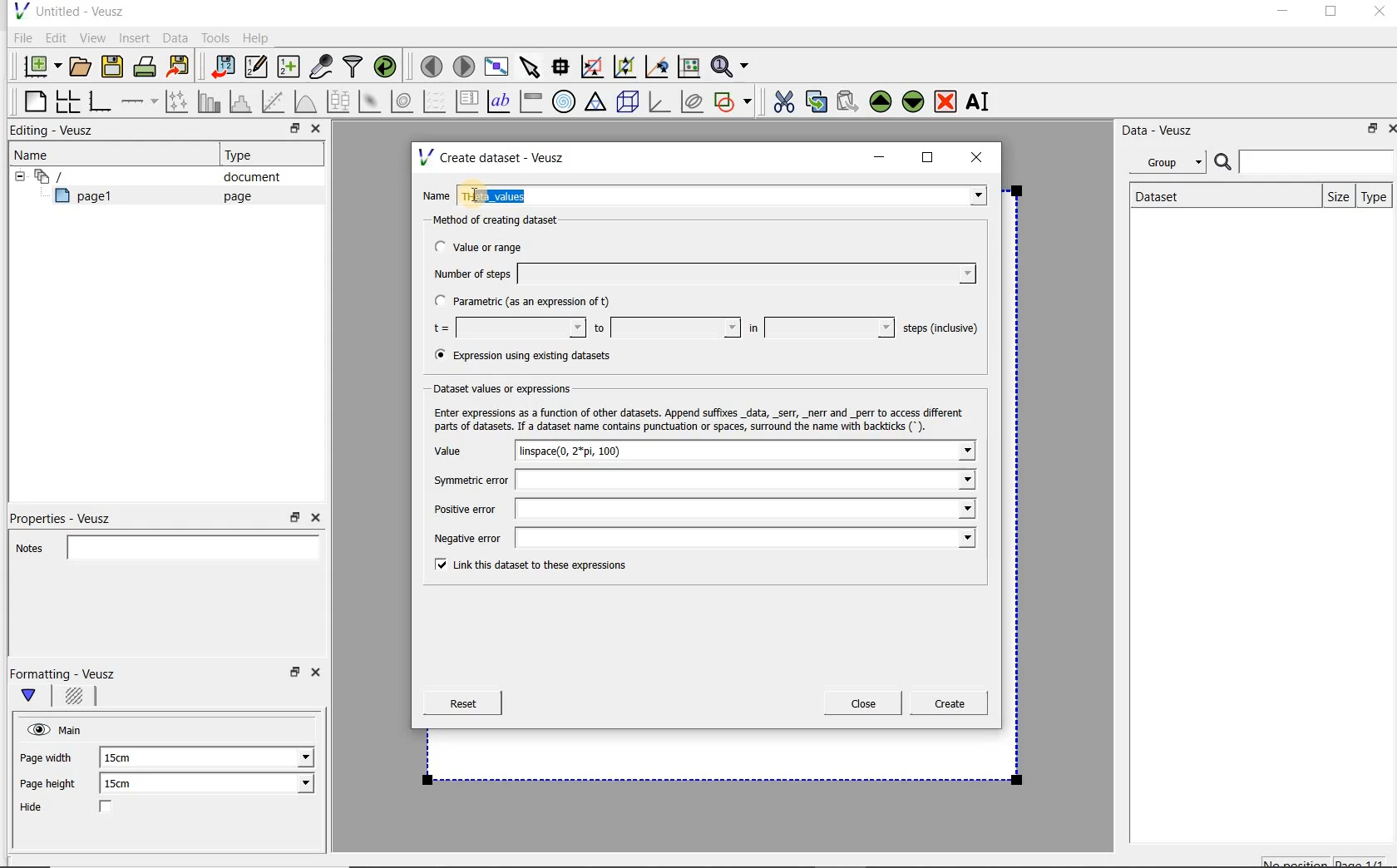  I want to click on blank page, so click(32, 99).